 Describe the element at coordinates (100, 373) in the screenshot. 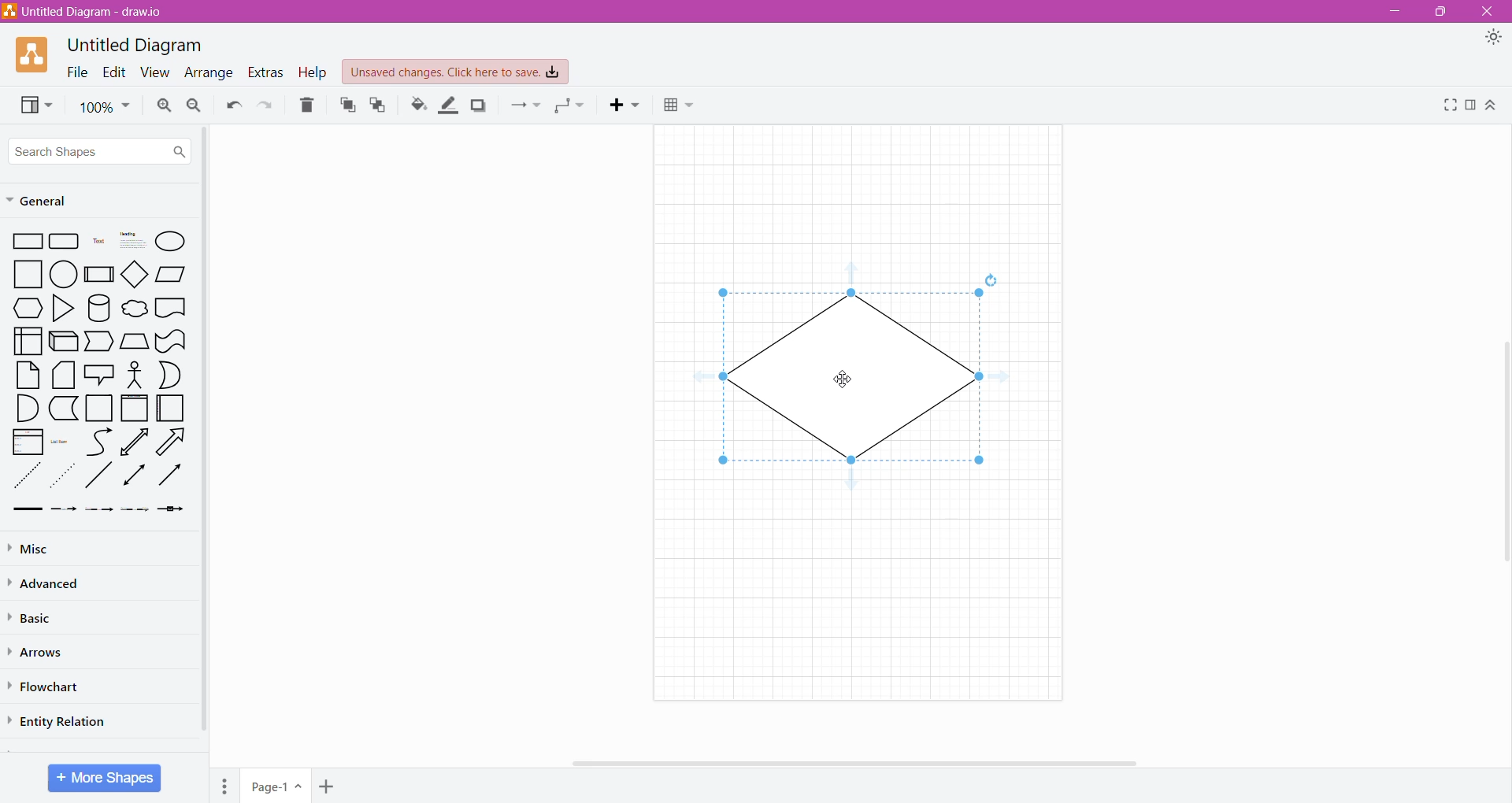

I see `Shapes` at that location.